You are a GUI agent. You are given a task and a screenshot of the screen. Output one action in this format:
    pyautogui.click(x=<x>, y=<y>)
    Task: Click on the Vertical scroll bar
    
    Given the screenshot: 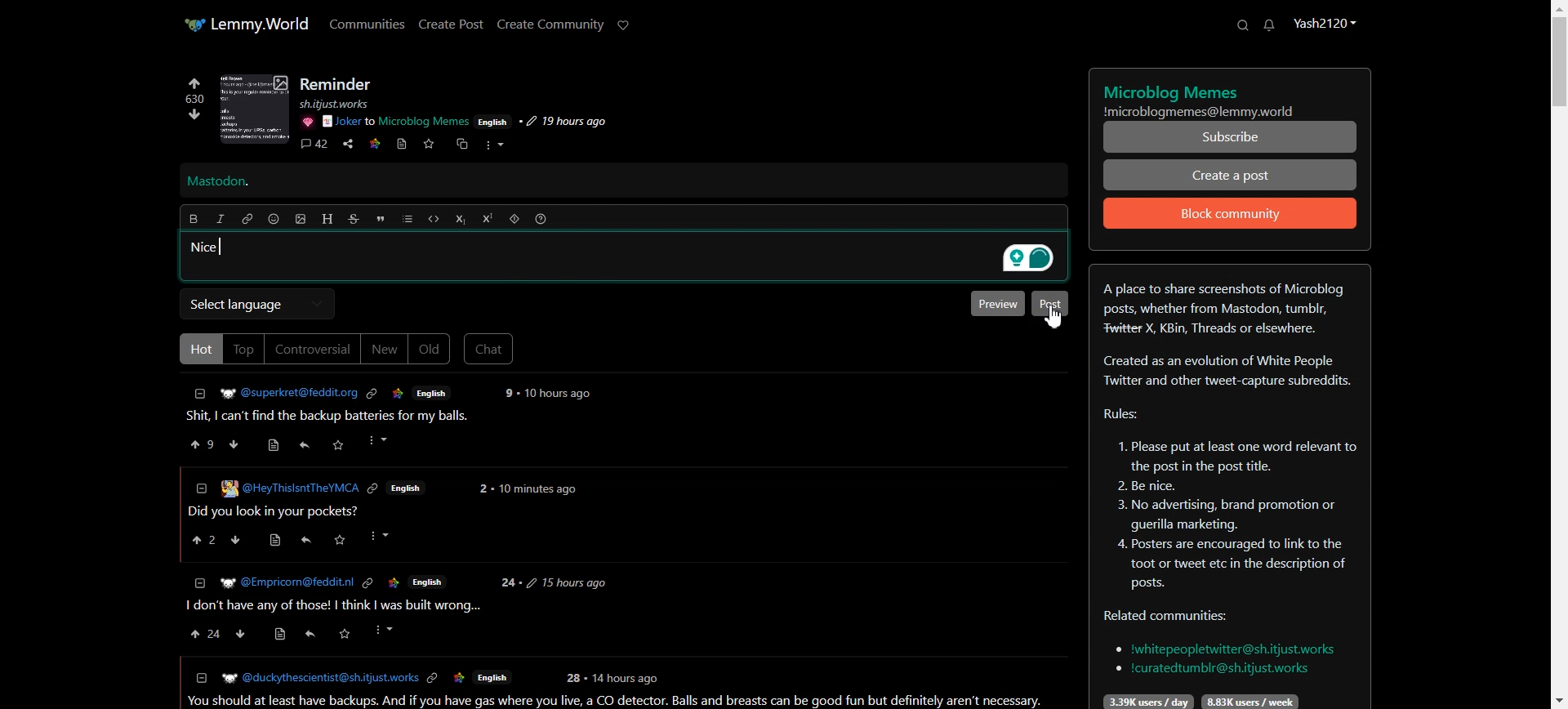 What is the action you would take?
    pyautogui.click(x=1558, y=354)
    